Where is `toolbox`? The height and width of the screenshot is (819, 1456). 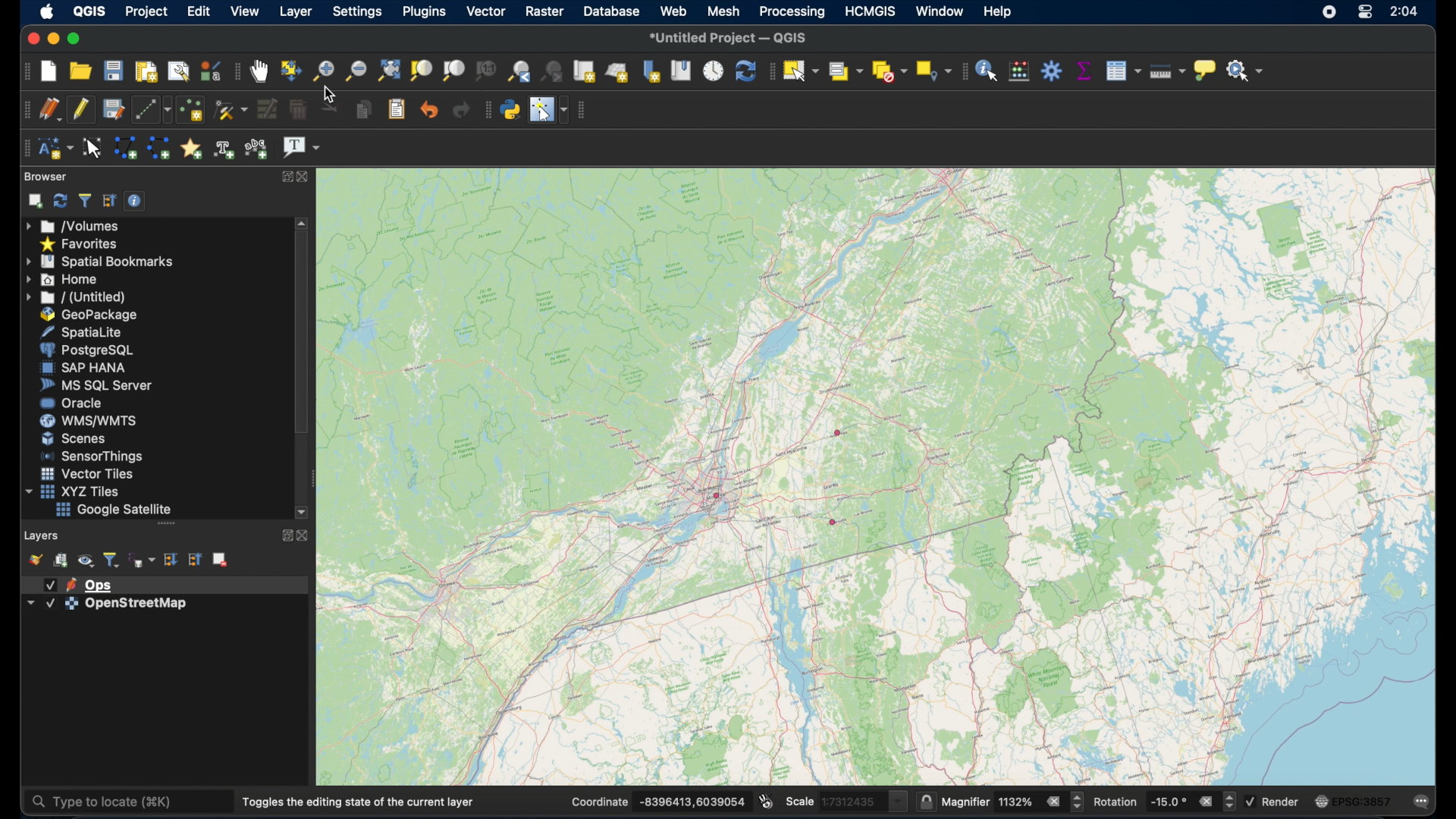
toolbox is located at coordinates (1053, 71).